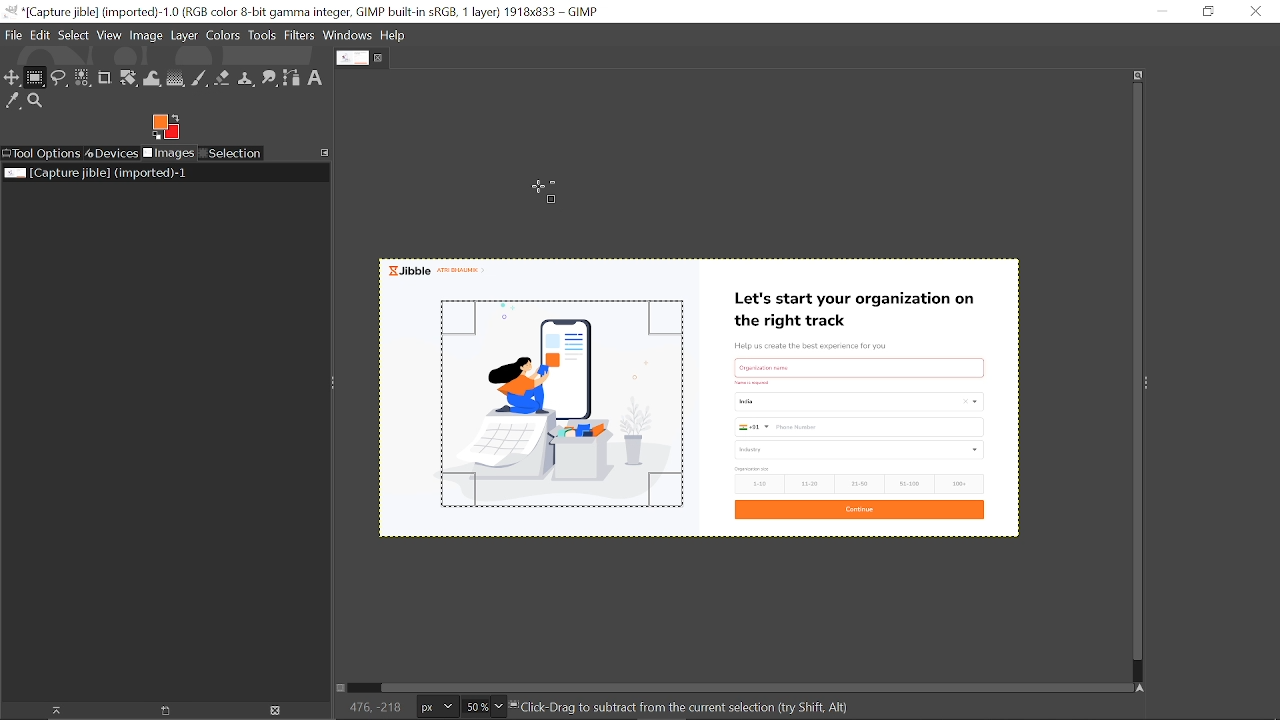 The image size is (1280, 720). What do you see at coordinates (37, 102) in the screenshot?
I see `Zoom tool` at bounding box center [37, 102].